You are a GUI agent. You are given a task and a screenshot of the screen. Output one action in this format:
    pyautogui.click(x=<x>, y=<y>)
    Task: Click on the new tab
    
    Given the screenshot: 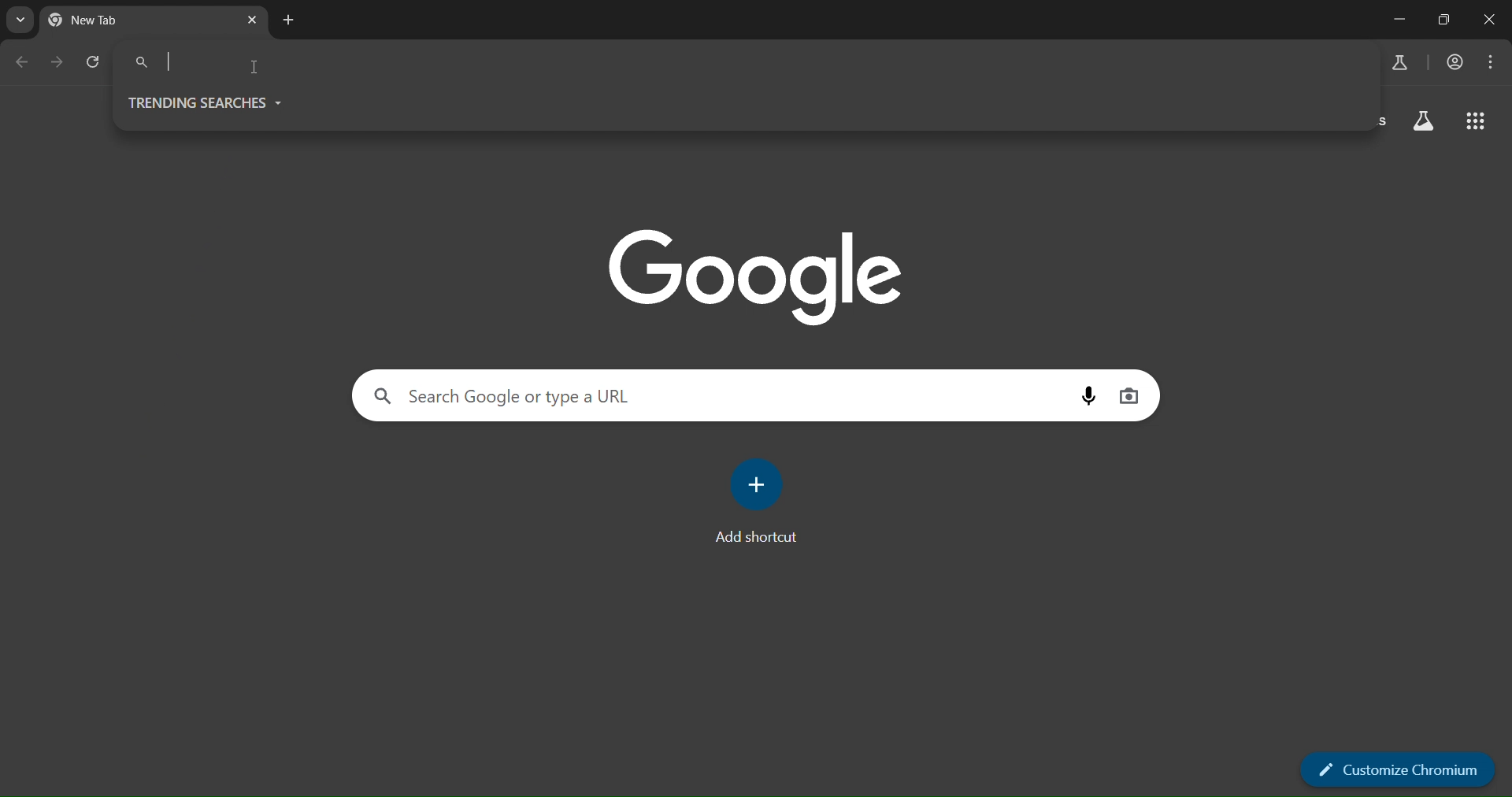 What is the action you would take?
    pyautogui.click(x=288, y=20)
    